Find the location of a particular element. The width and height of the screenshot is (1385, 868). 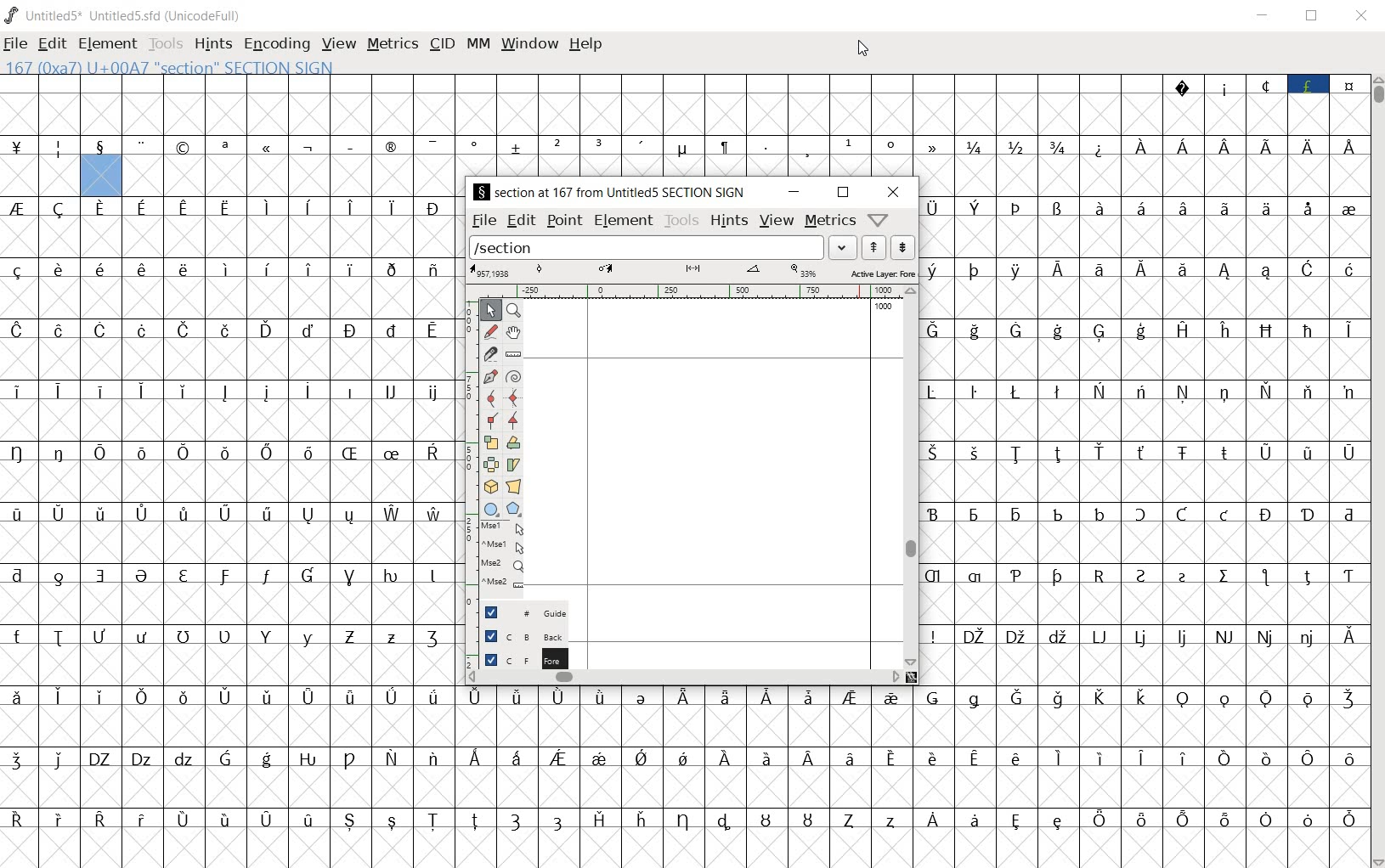

EDIT is located at coordinates (52, 45).